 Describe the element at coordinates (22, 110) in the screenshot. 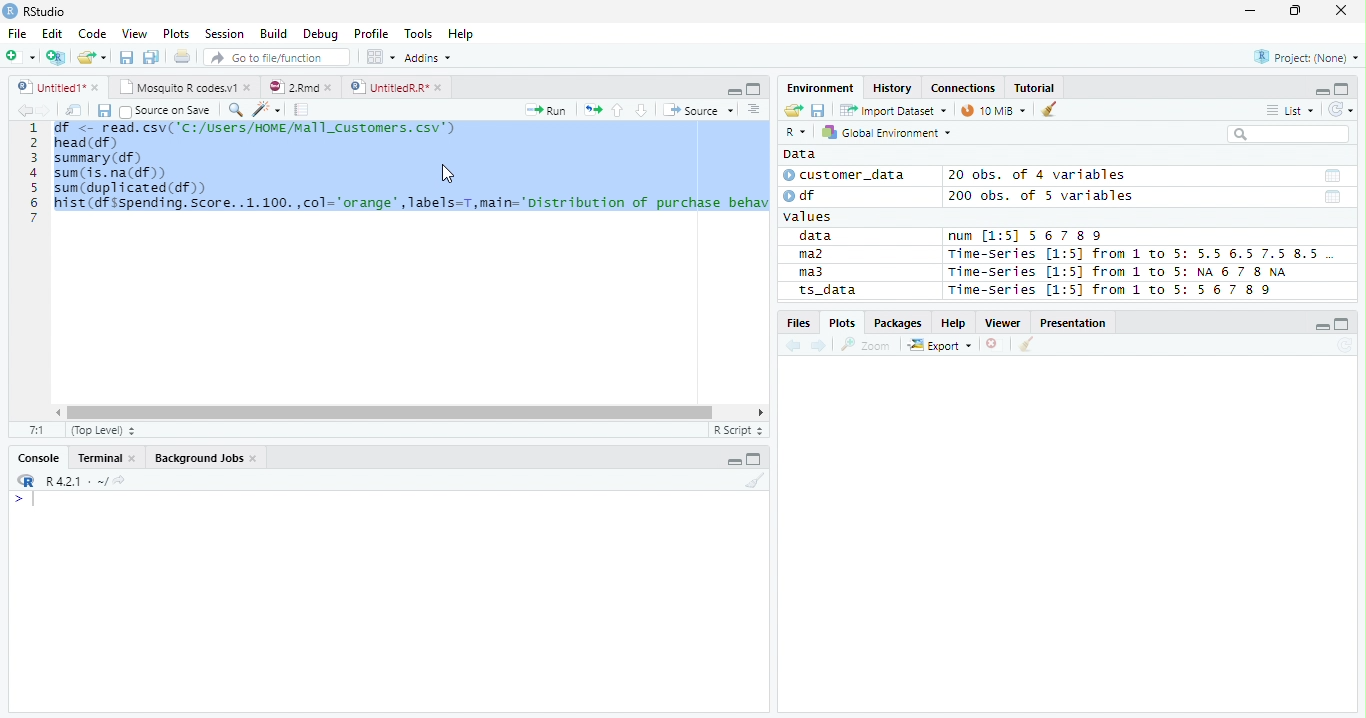

I see `Previous` at that location.